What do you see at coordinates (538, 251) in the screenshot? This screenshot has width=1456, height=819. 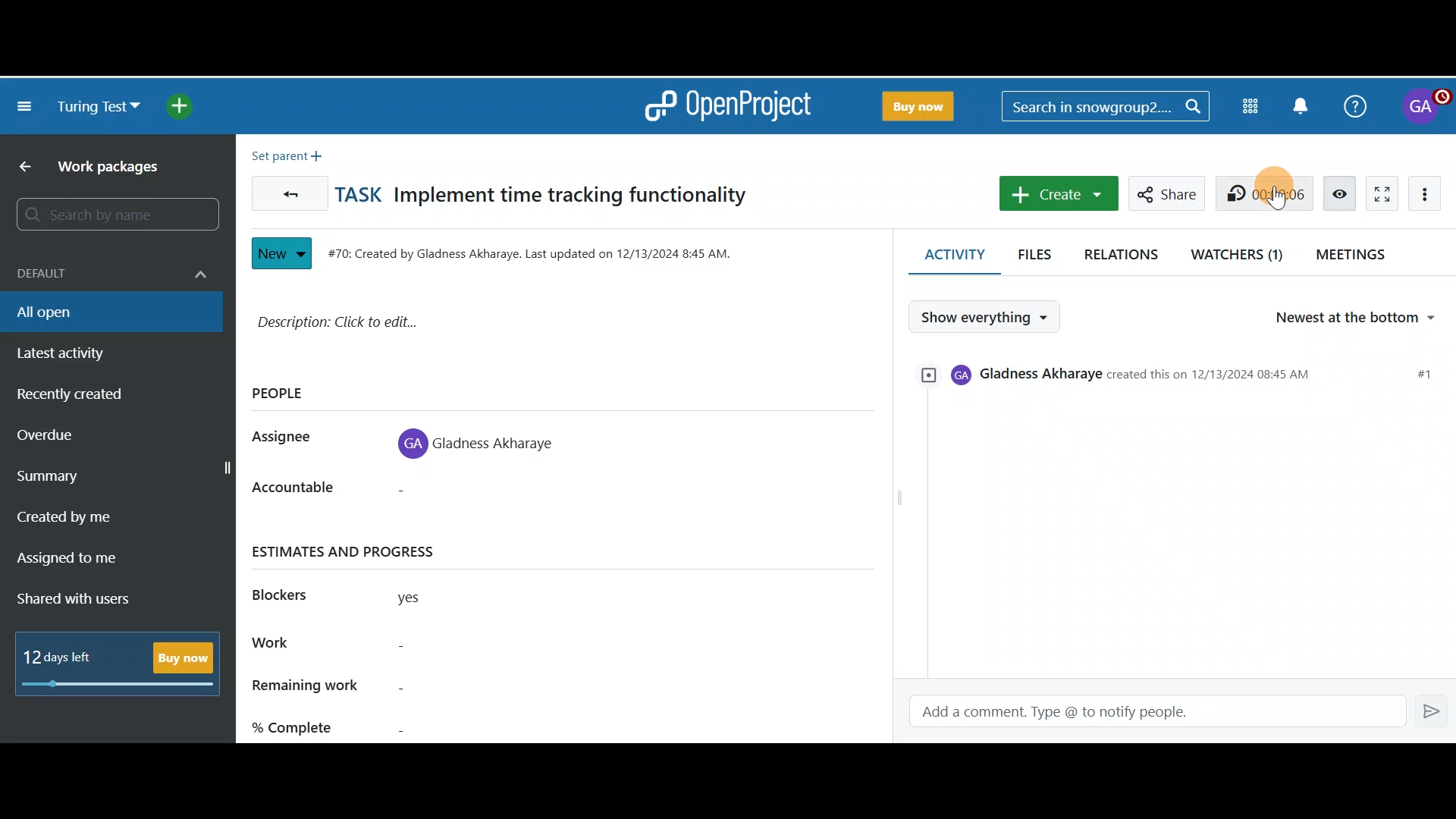 I see `#70: Created by Gladness Akharaye. Last updated on 12/13/2024 8:45 AM.` at bounding box center [538, 251].